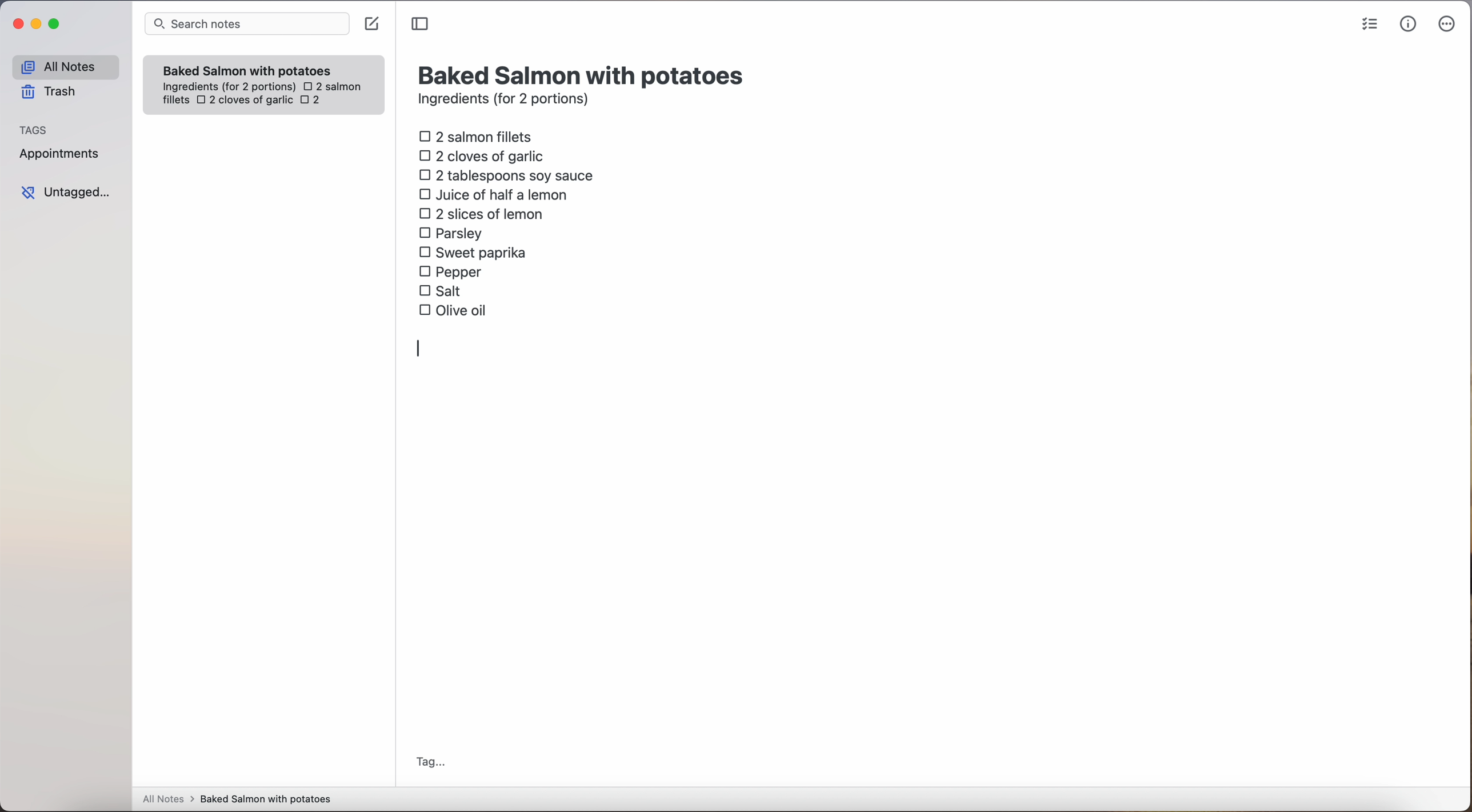  I want to click on tags, so click(34, 129).